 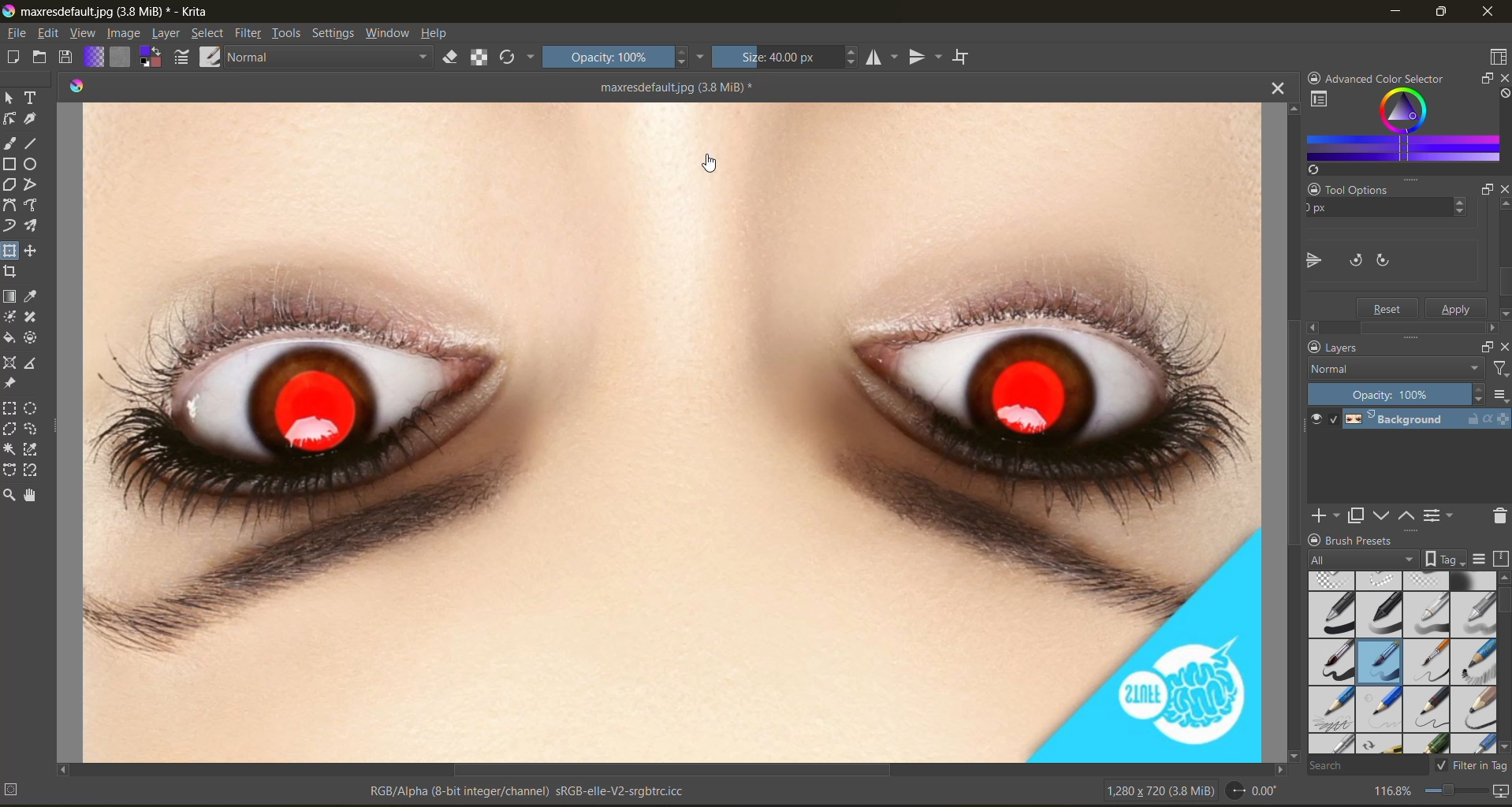 What do you see at coordinates (123, 58) in the screenshot?
I see `fill patterns` at bounding box center [123, 58].